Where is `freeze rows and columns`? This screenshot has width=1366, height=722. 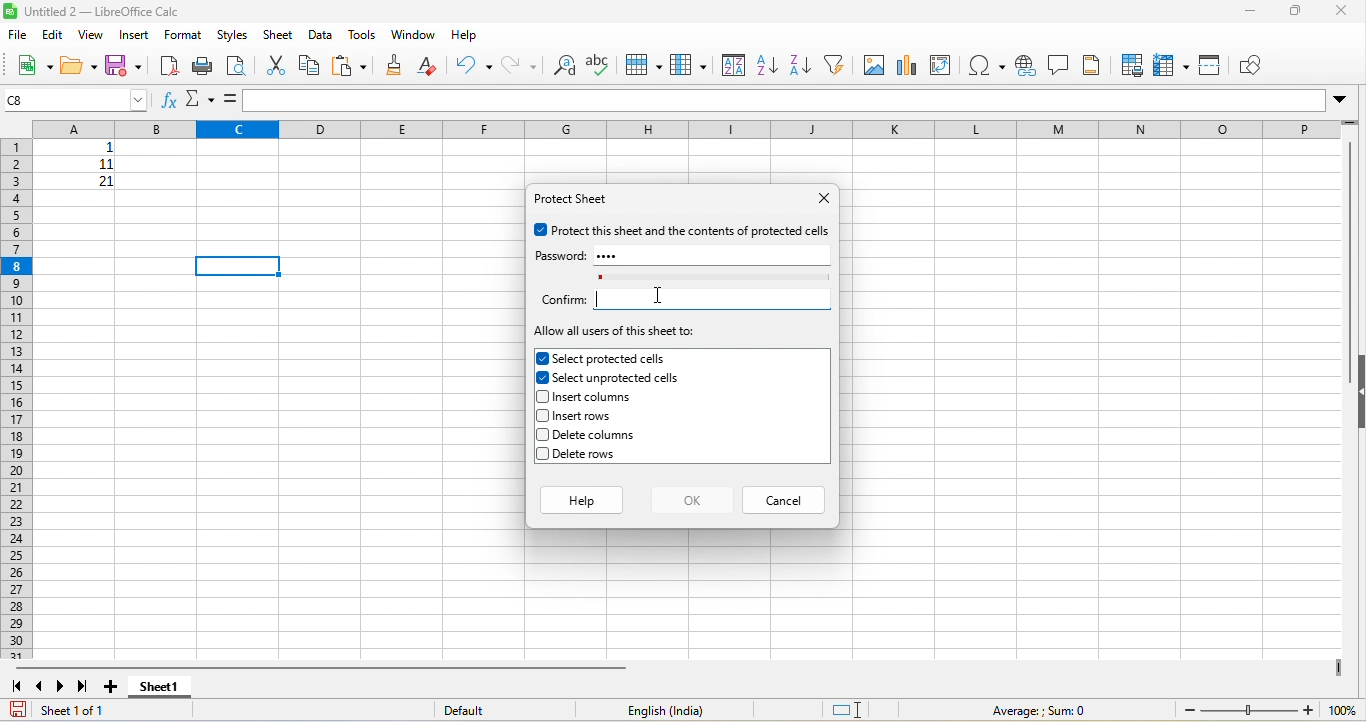
freeze rows and columns is located at coordinates (1170, 65).